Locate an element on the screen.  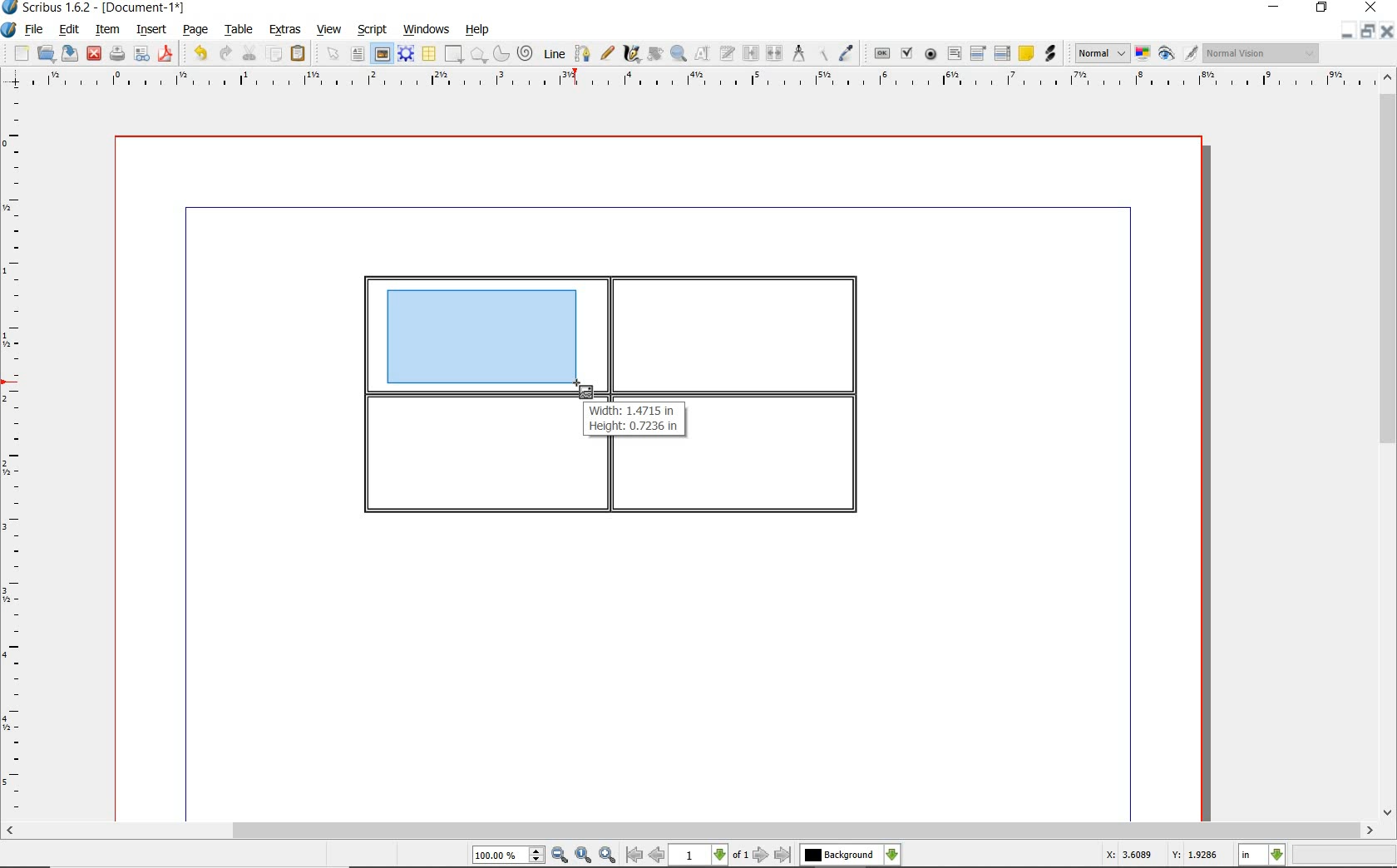
calligraphic line is located at coordinates (632, 54).